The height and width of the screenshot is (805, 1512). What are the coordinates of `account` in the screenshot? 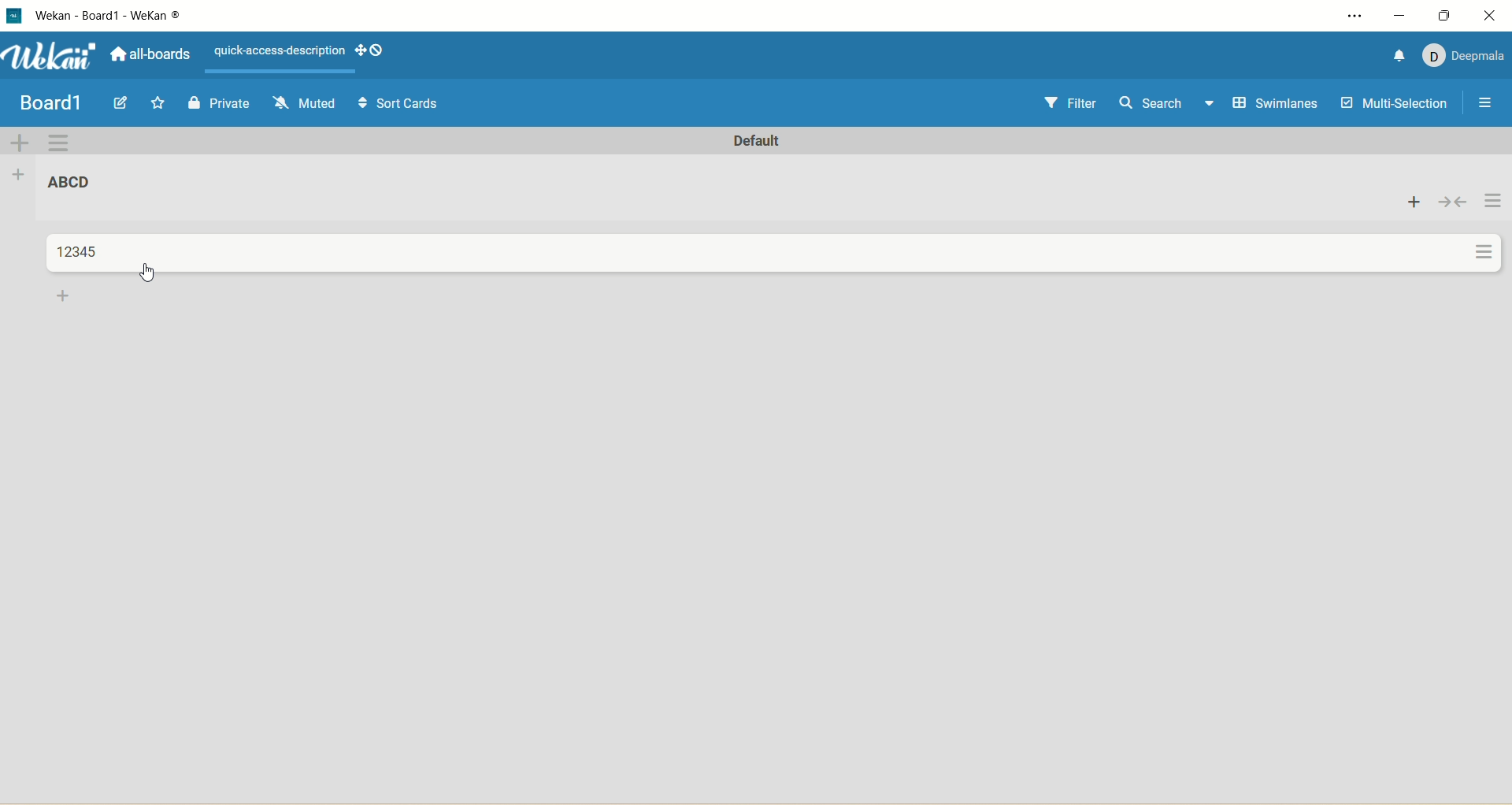 It's located at (1463, 52).